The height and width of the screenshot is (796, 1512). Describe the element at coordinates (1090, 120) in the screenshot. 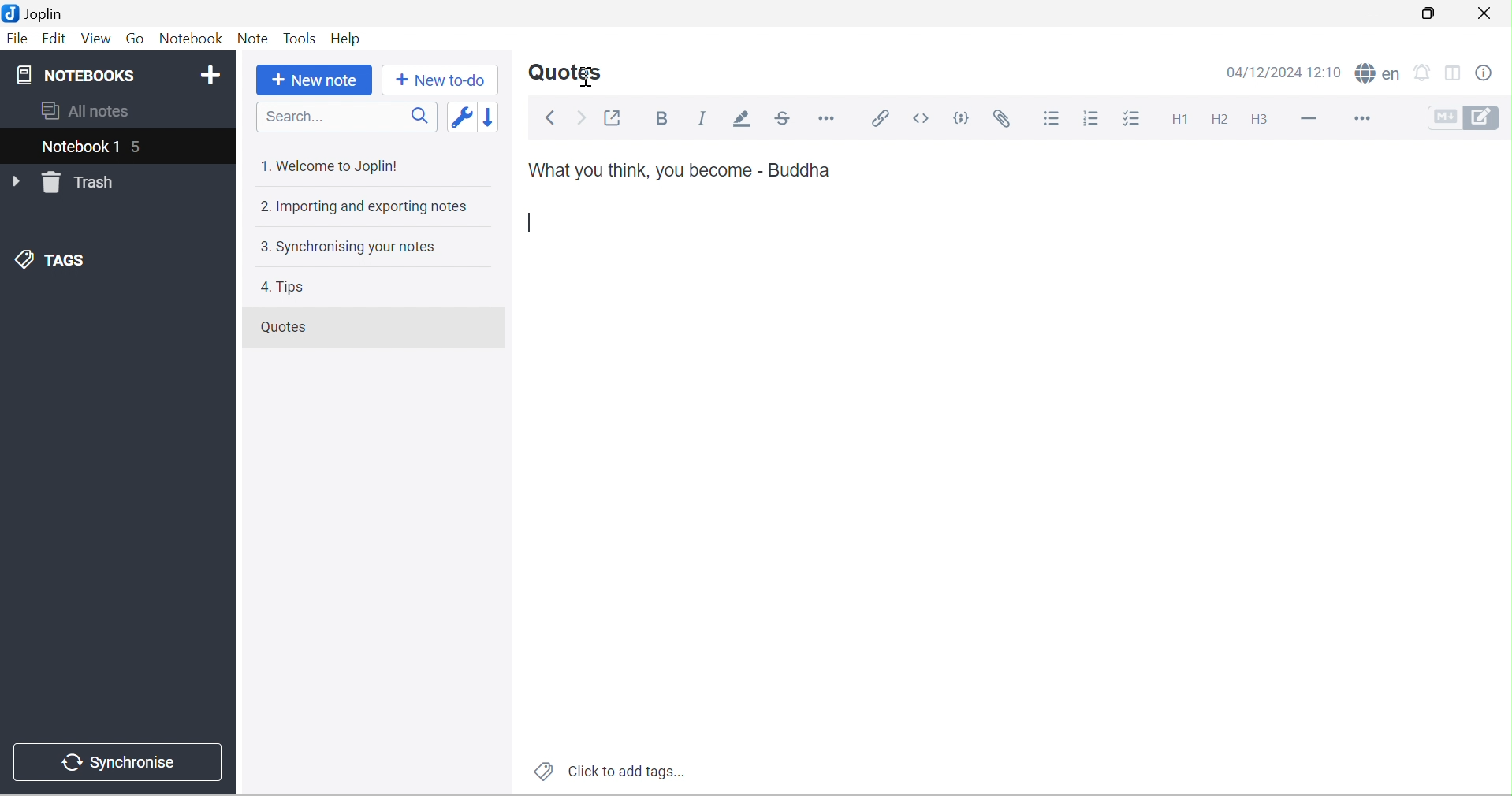

I see `Numbered list` at that location.